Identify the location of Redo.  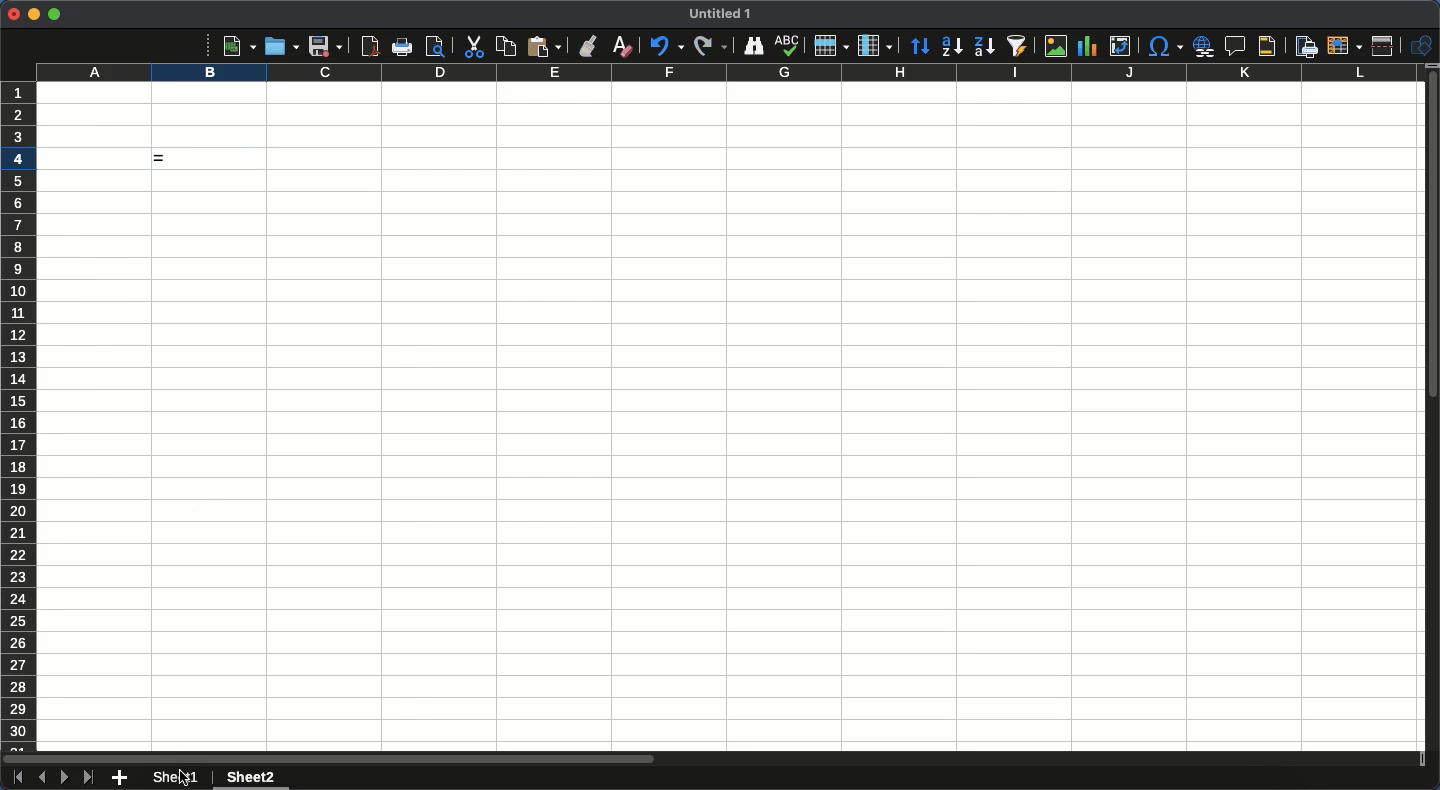
(710, 45).